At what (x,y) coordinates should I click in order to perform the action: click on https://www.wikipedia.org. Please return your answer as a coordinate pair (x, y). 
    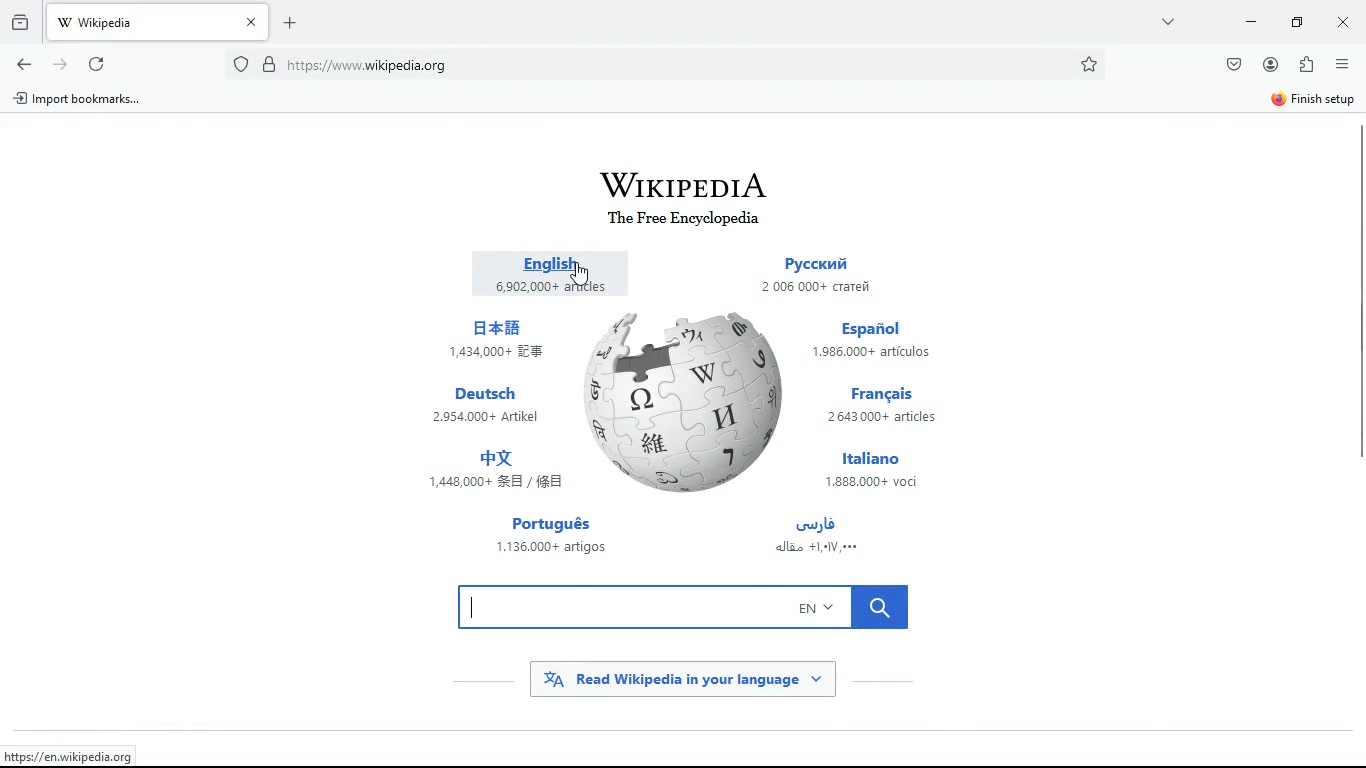
    Looking at the image, I should click on (83, 754).